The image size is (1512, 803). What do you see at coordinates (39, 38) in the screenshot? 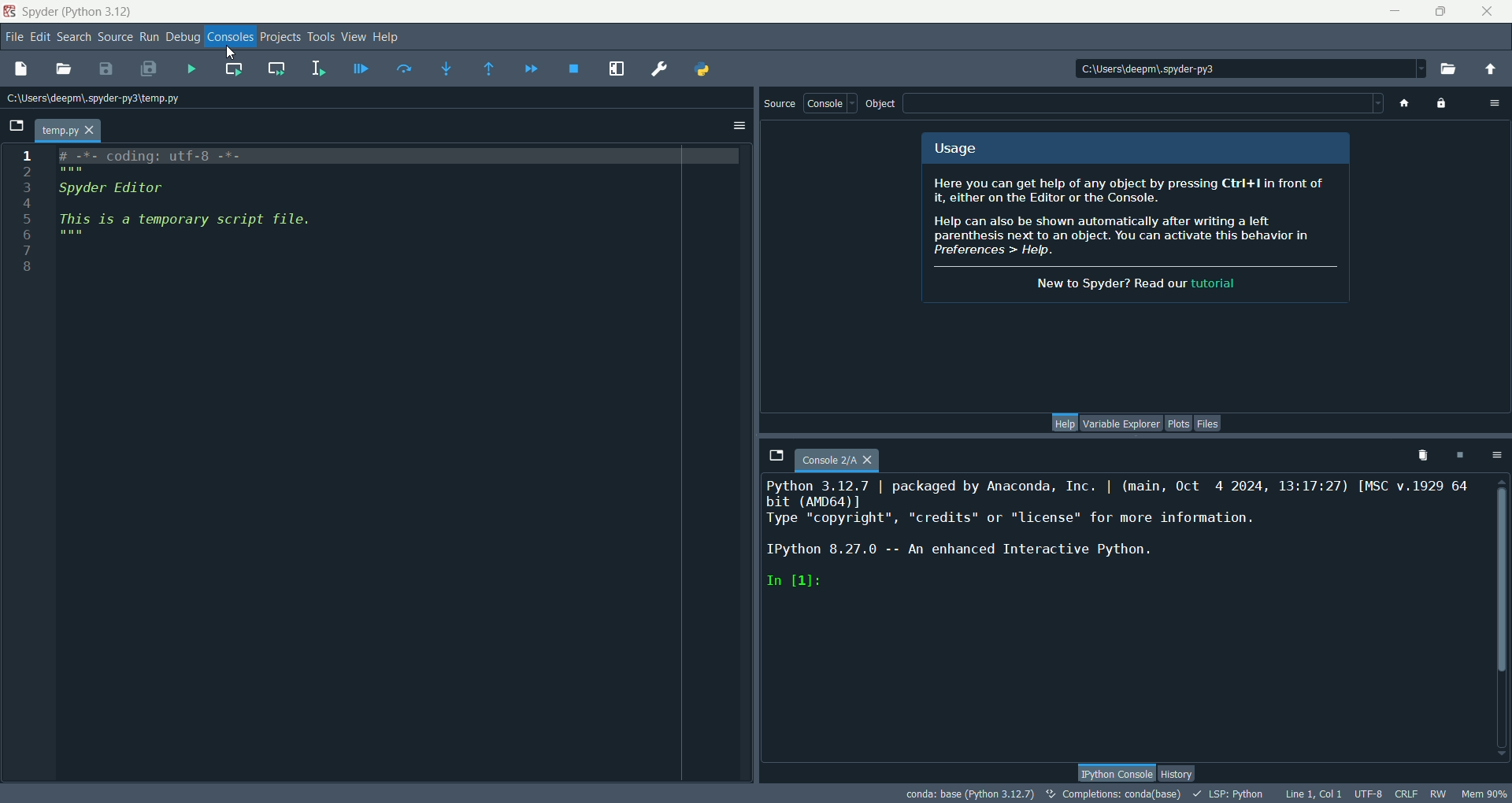
I see `edit` at bounding box center [39, 38].